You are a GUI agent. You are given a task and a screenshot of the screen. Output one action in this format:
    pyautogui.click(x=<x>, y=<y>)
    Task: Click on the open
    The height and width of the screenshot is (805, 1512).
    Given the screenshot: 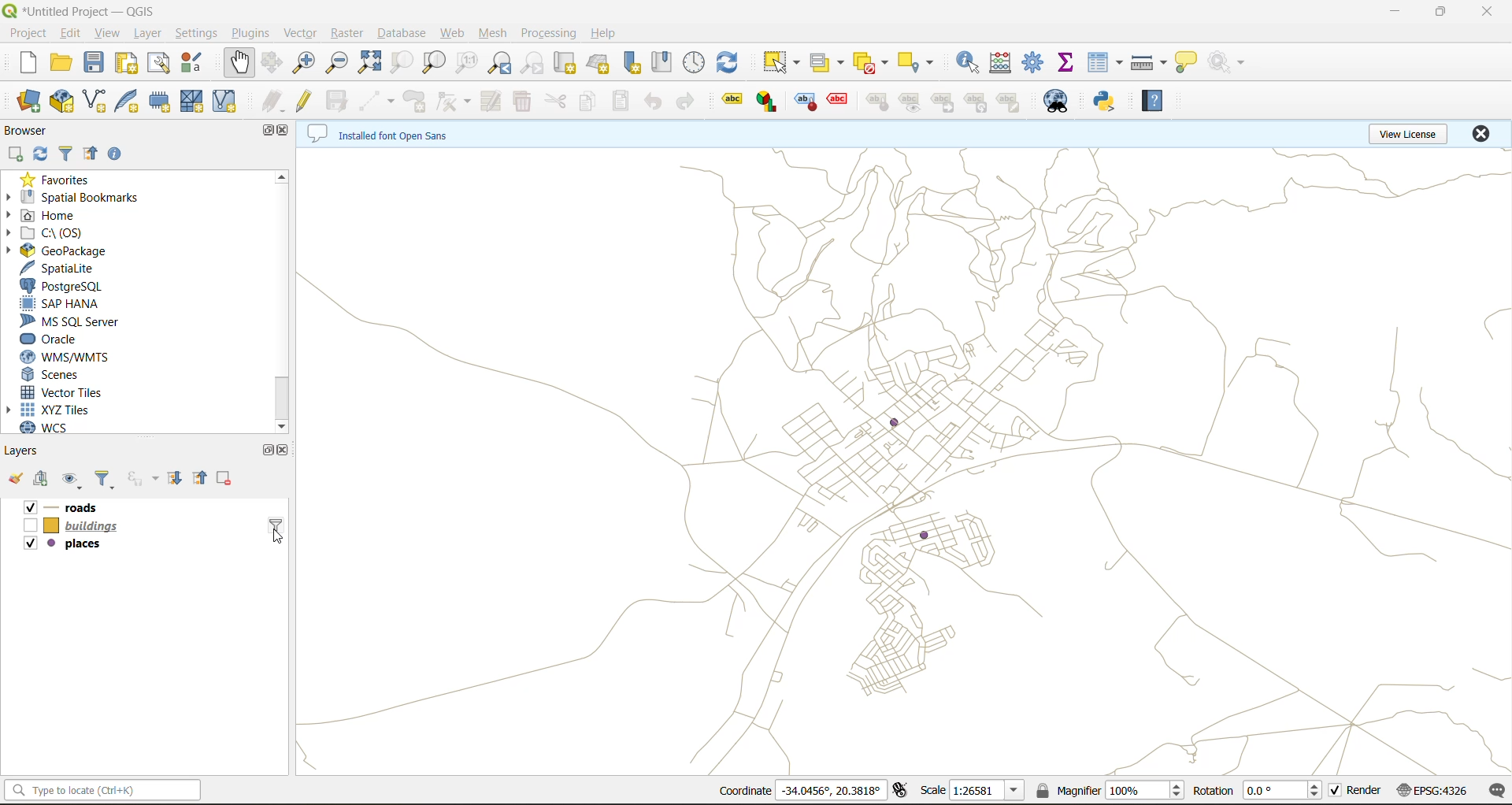 What is the action you would take?
    pyautogui.click(x=17, y=477)
    